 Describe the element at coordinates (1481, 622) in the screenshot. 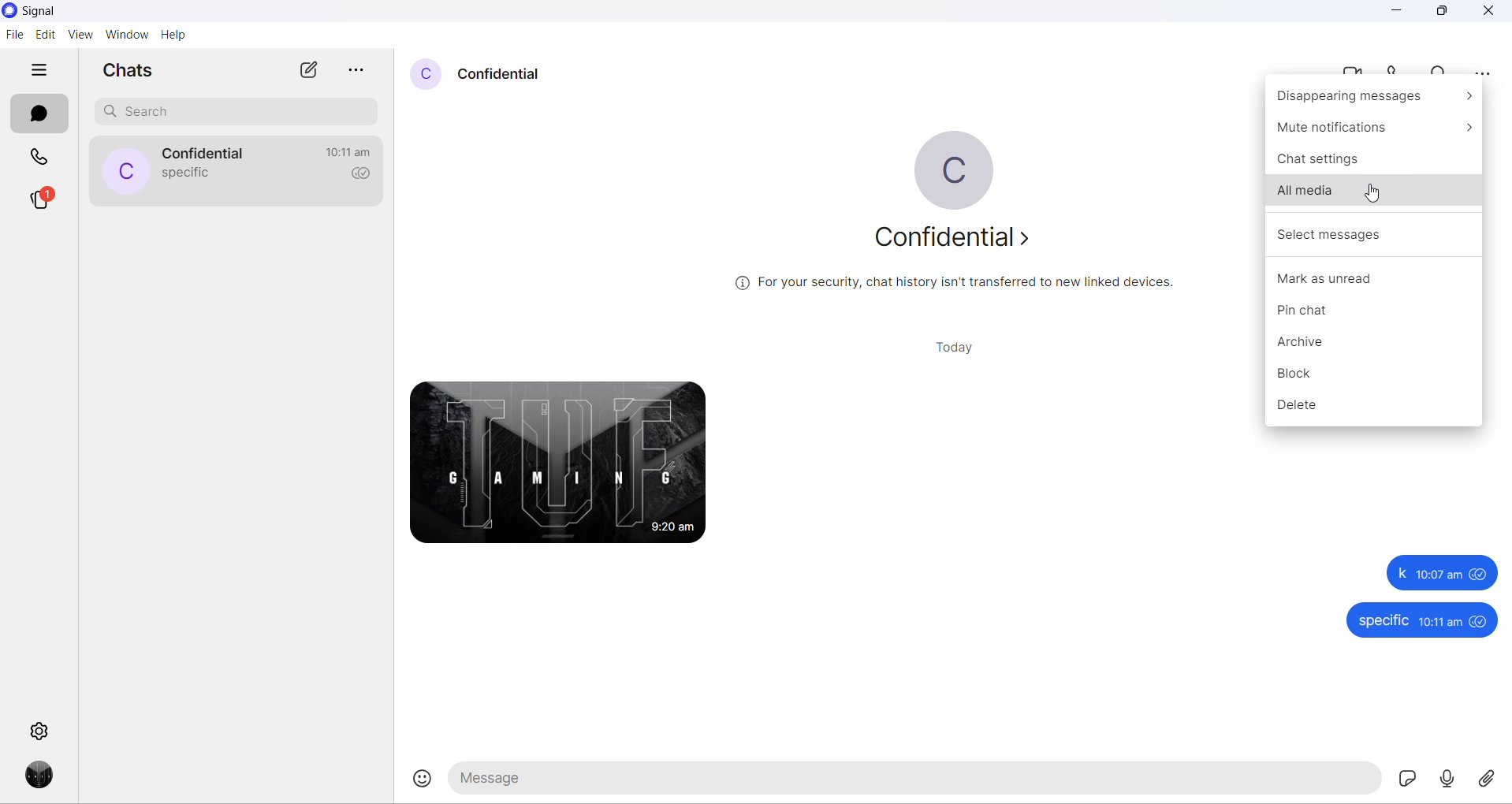

I see `seen` at that location.